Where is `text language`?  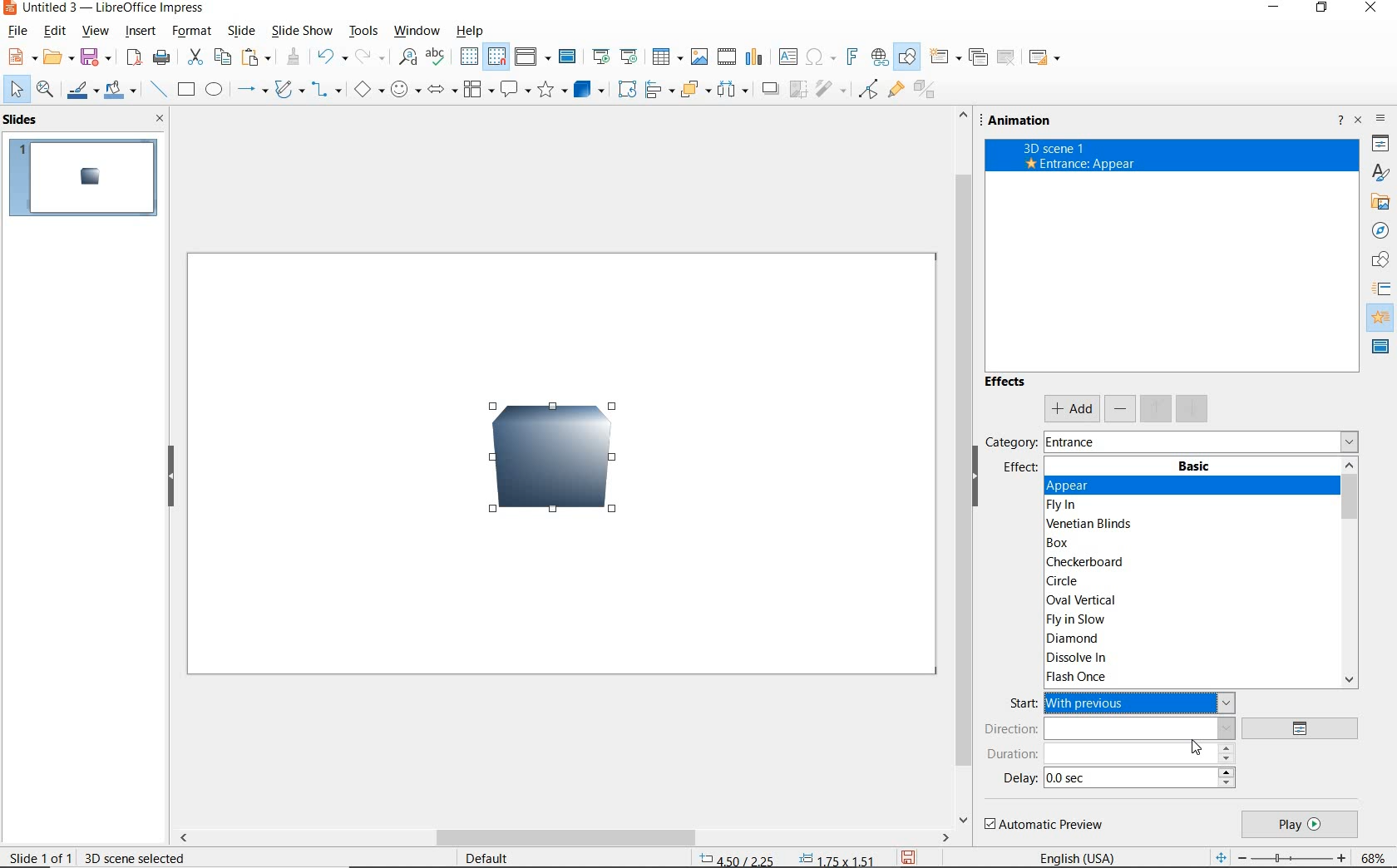
text language is located at coordinates (1079, 856).